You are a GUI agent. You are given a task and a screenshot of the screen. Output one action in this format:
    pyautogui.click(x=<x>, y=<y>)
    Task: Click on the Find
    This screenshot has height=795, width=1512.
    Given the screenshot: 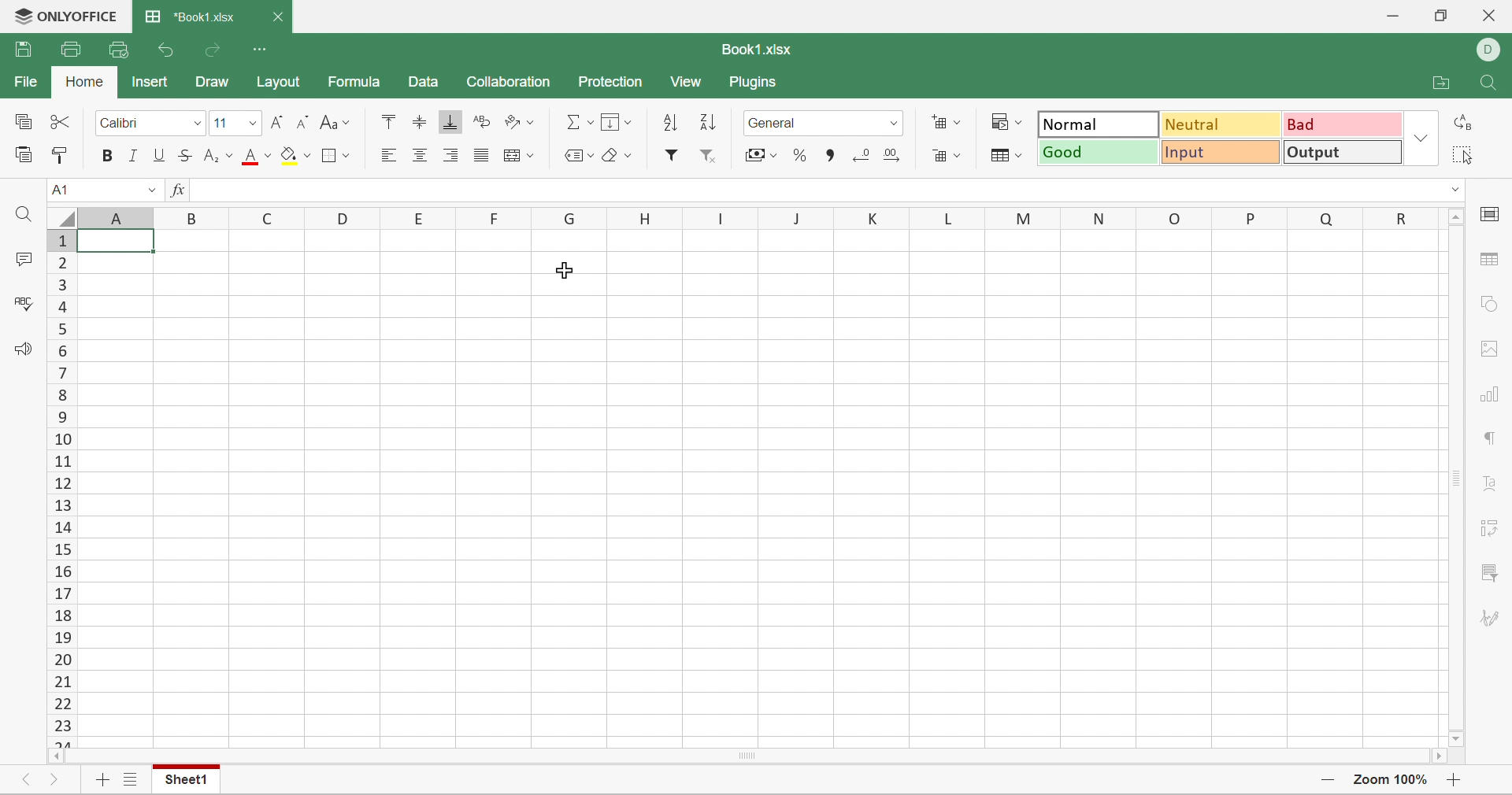 What is the action you would take?
    pyautogui.click(x=1490, y=83)
    